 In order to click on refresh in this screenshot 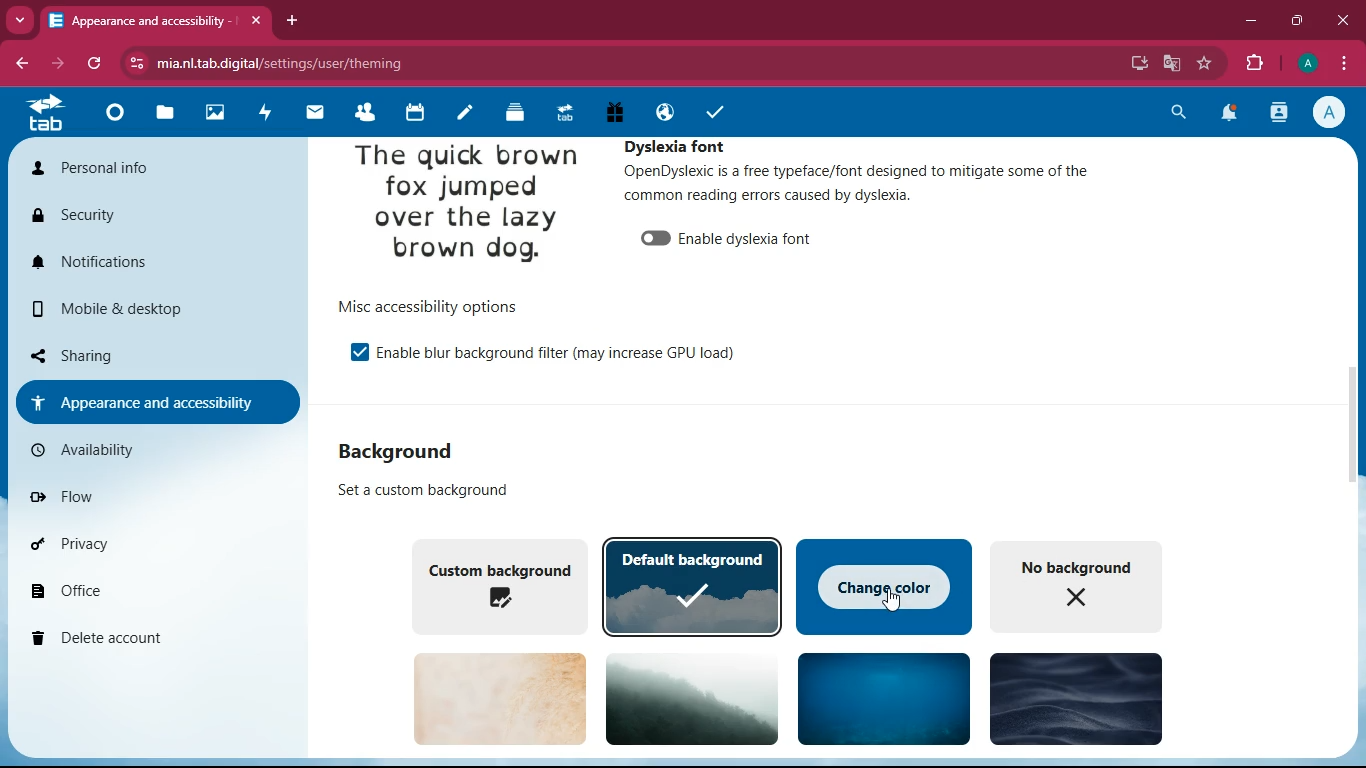, I will do `click(96, 64)`.